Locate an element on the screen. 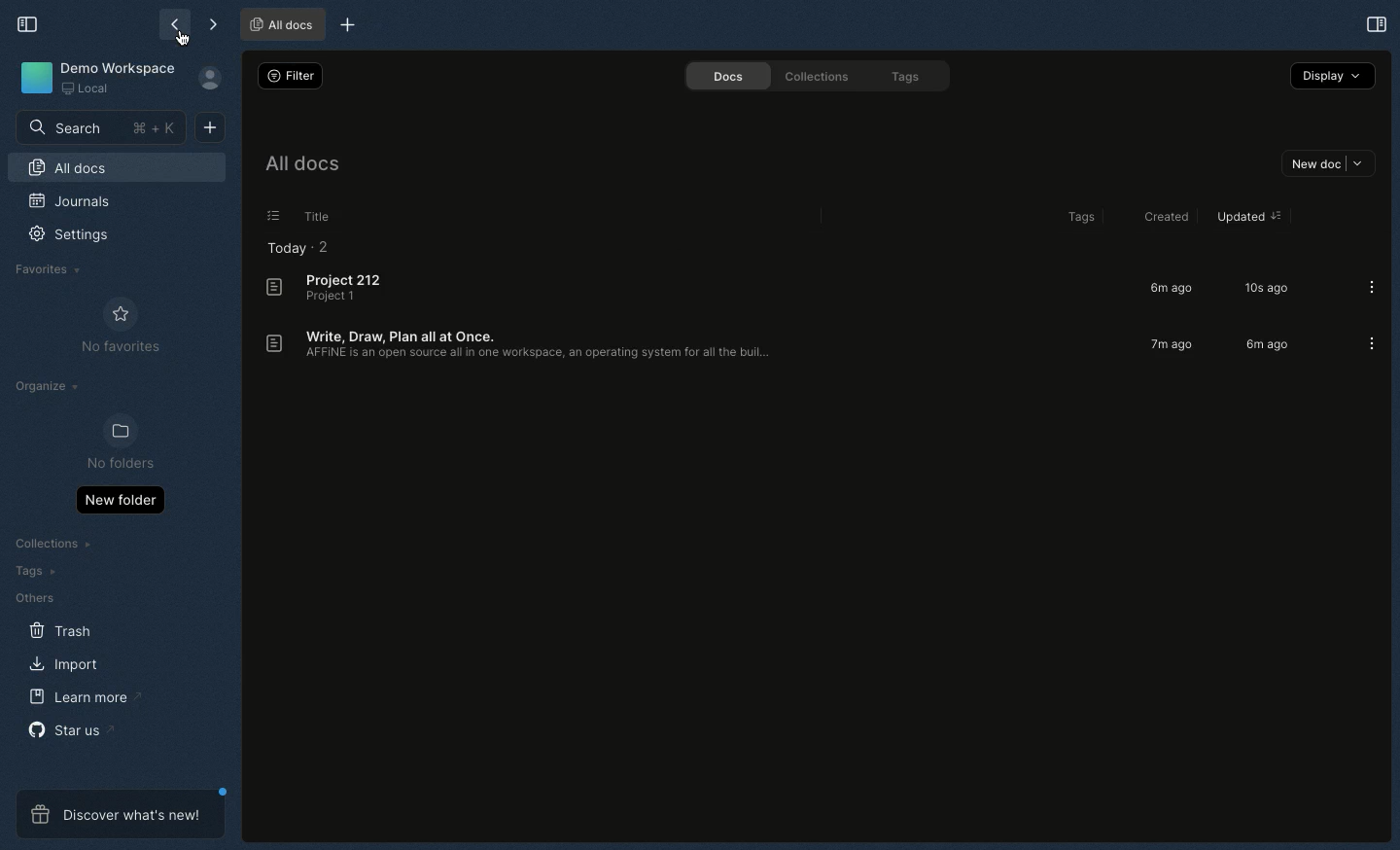 Image resolution: width=1400 pixels, height=850 pixels. Forward is located at coordinates (209, 25).